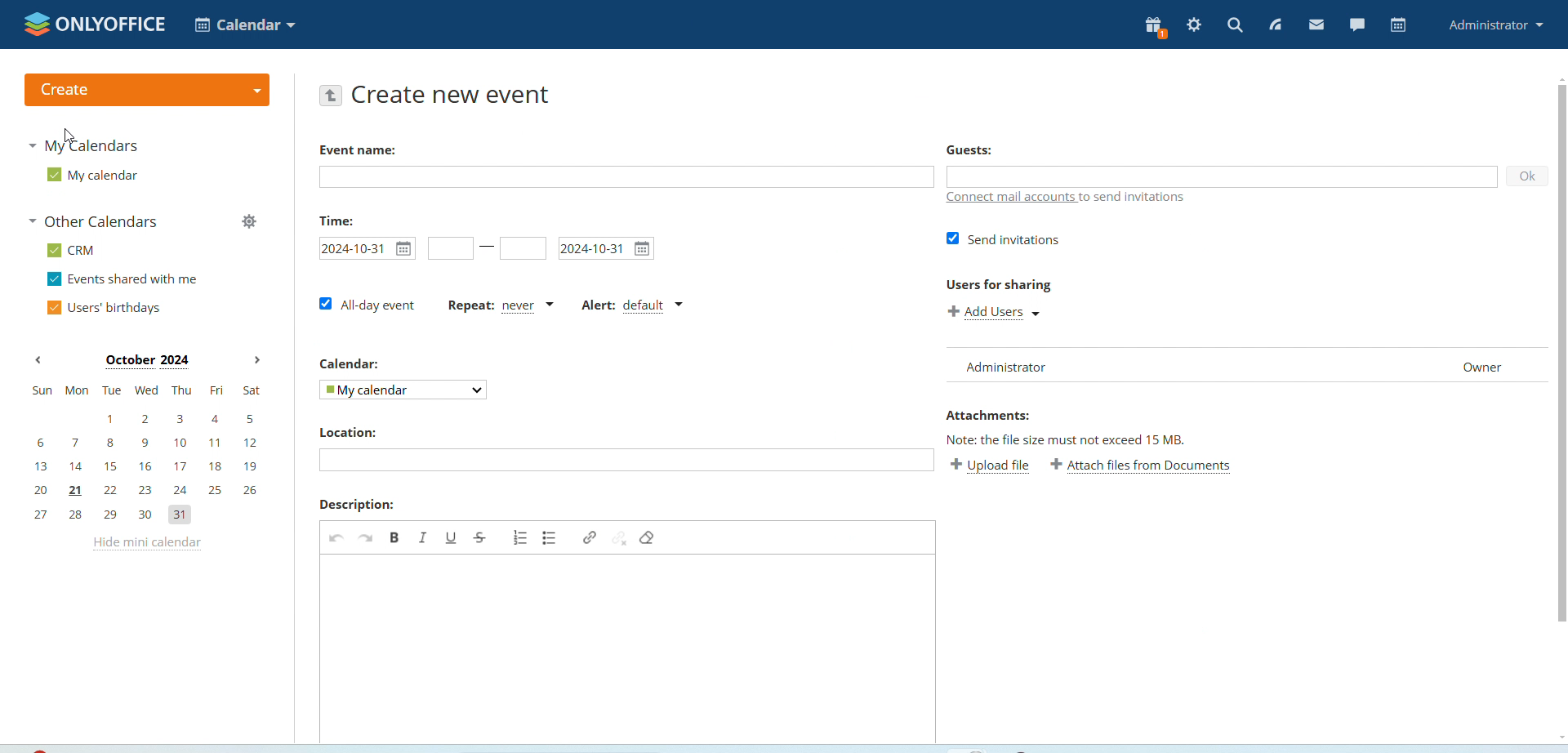 The image size is (1568, 753). Describe the element at coordinates (1195, 25) in the screenshot. I see `settings` at that location.